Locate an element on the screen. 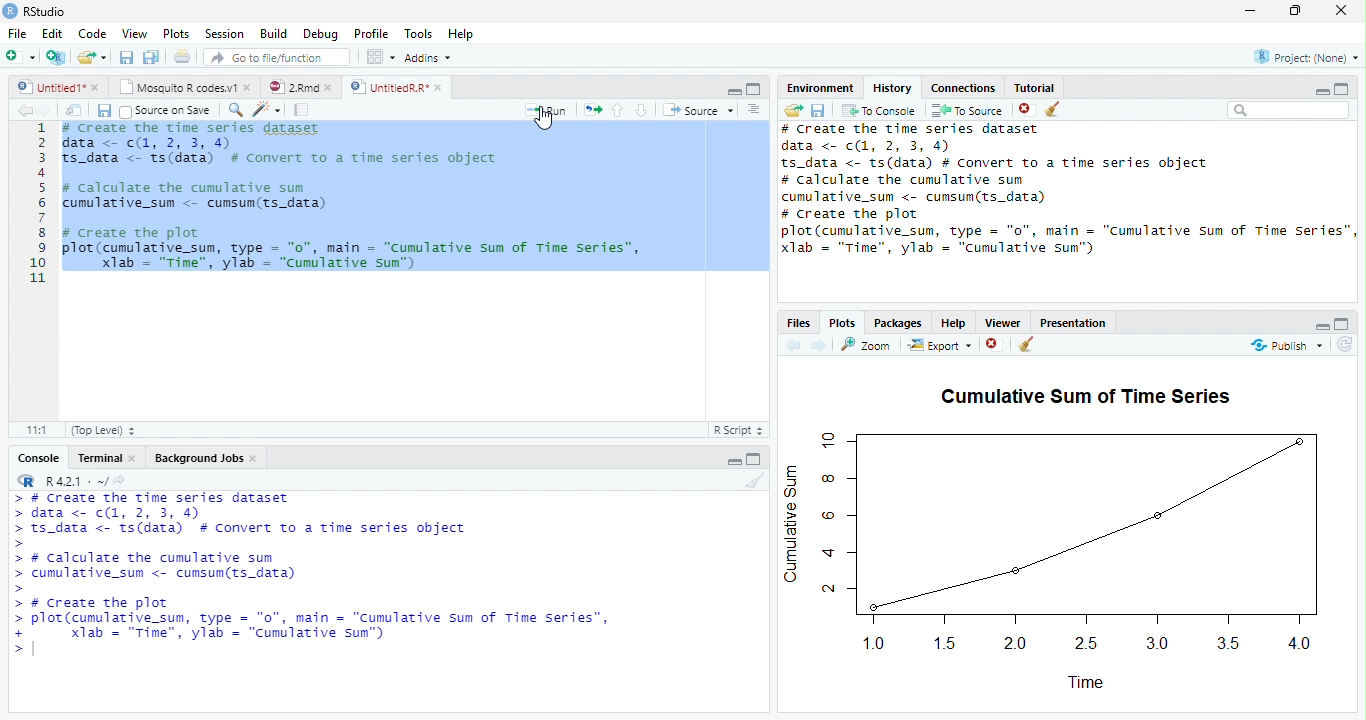  2.Rmd is located at coordinates (303, 88).